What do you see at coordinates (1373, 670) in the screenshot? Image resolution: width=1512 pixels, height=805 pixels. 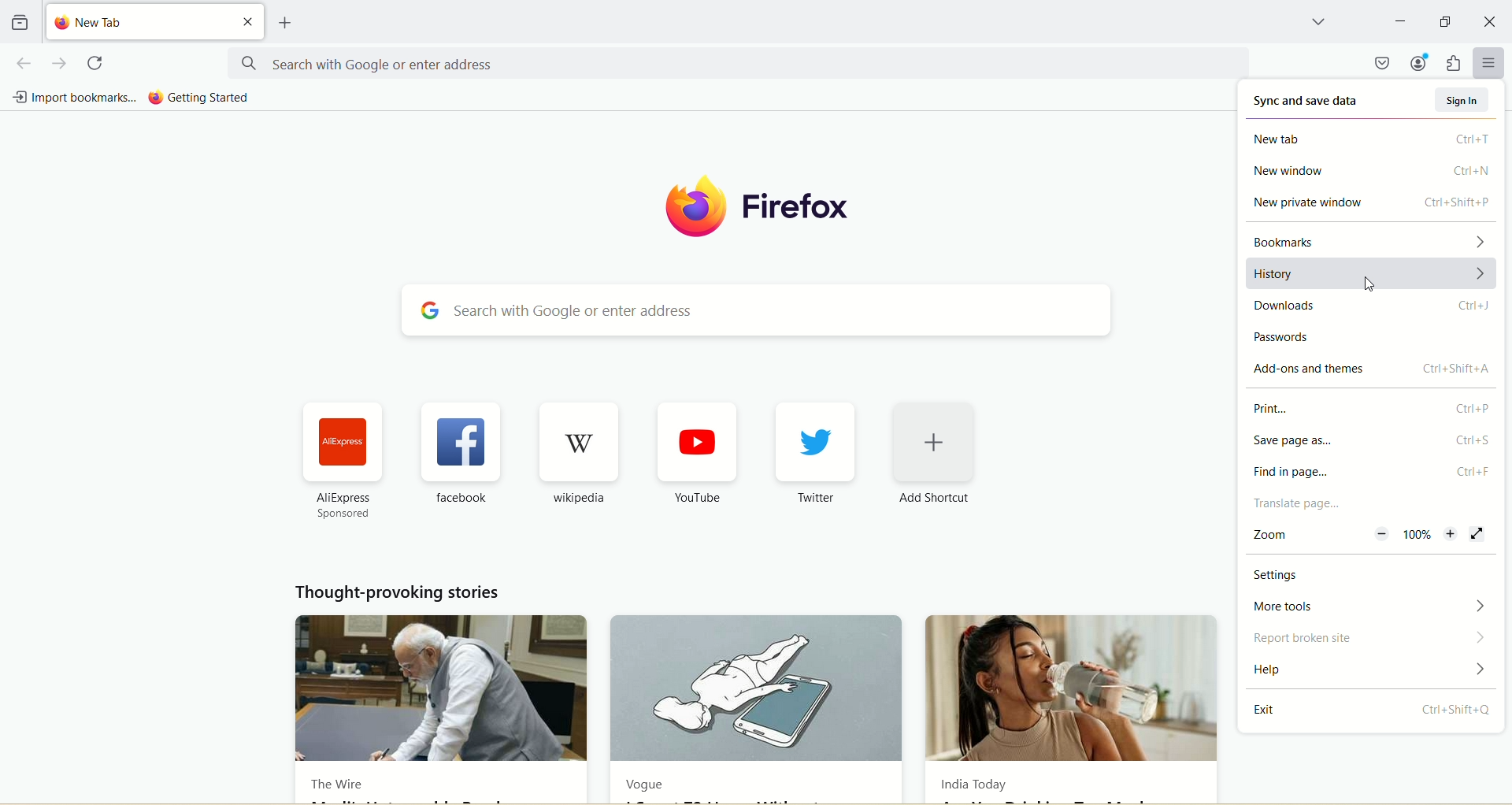 I see `help` at bounding box center [1373, 670].